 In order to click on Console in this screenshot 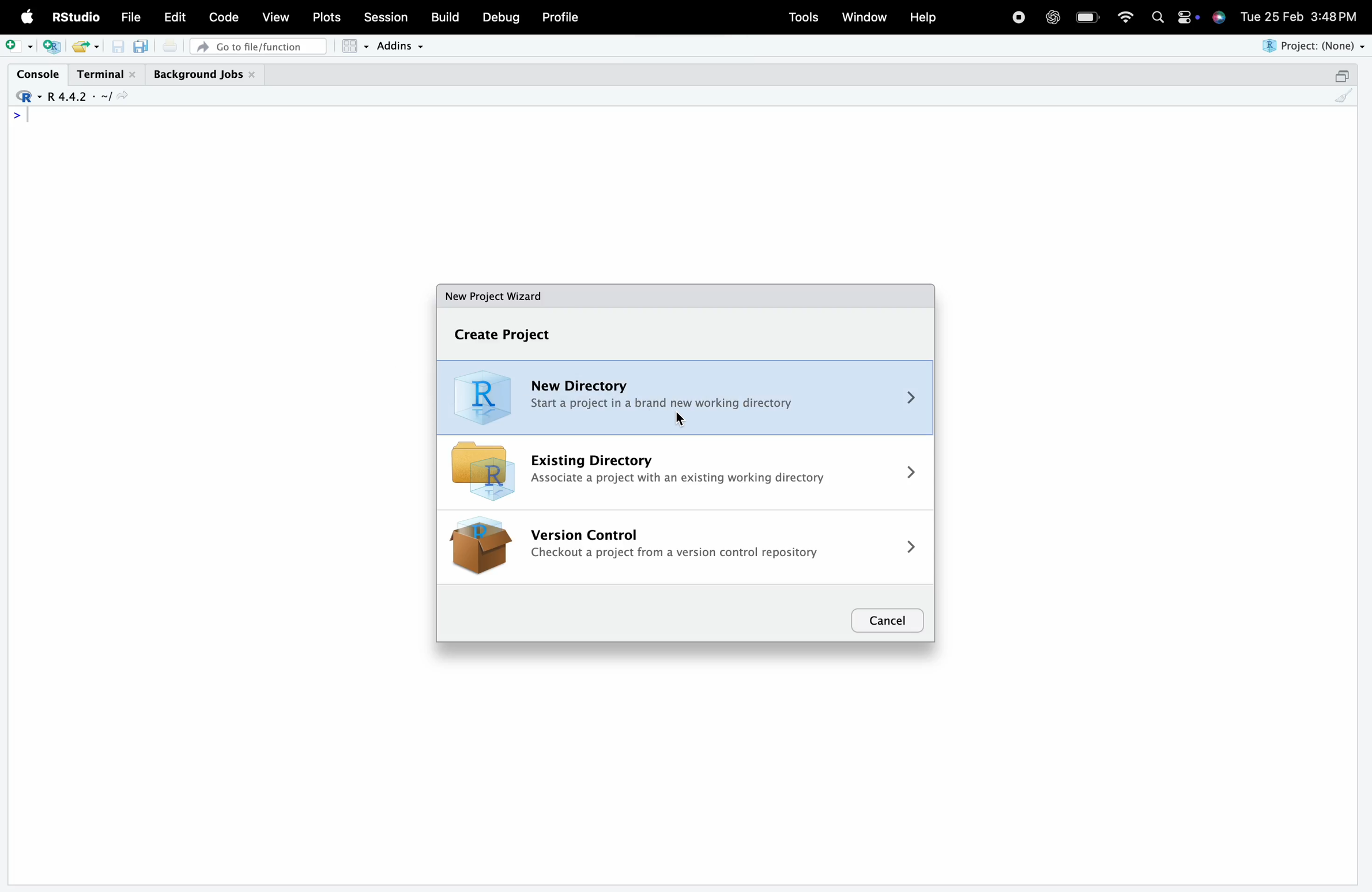, I will do `click(37, 74)`.